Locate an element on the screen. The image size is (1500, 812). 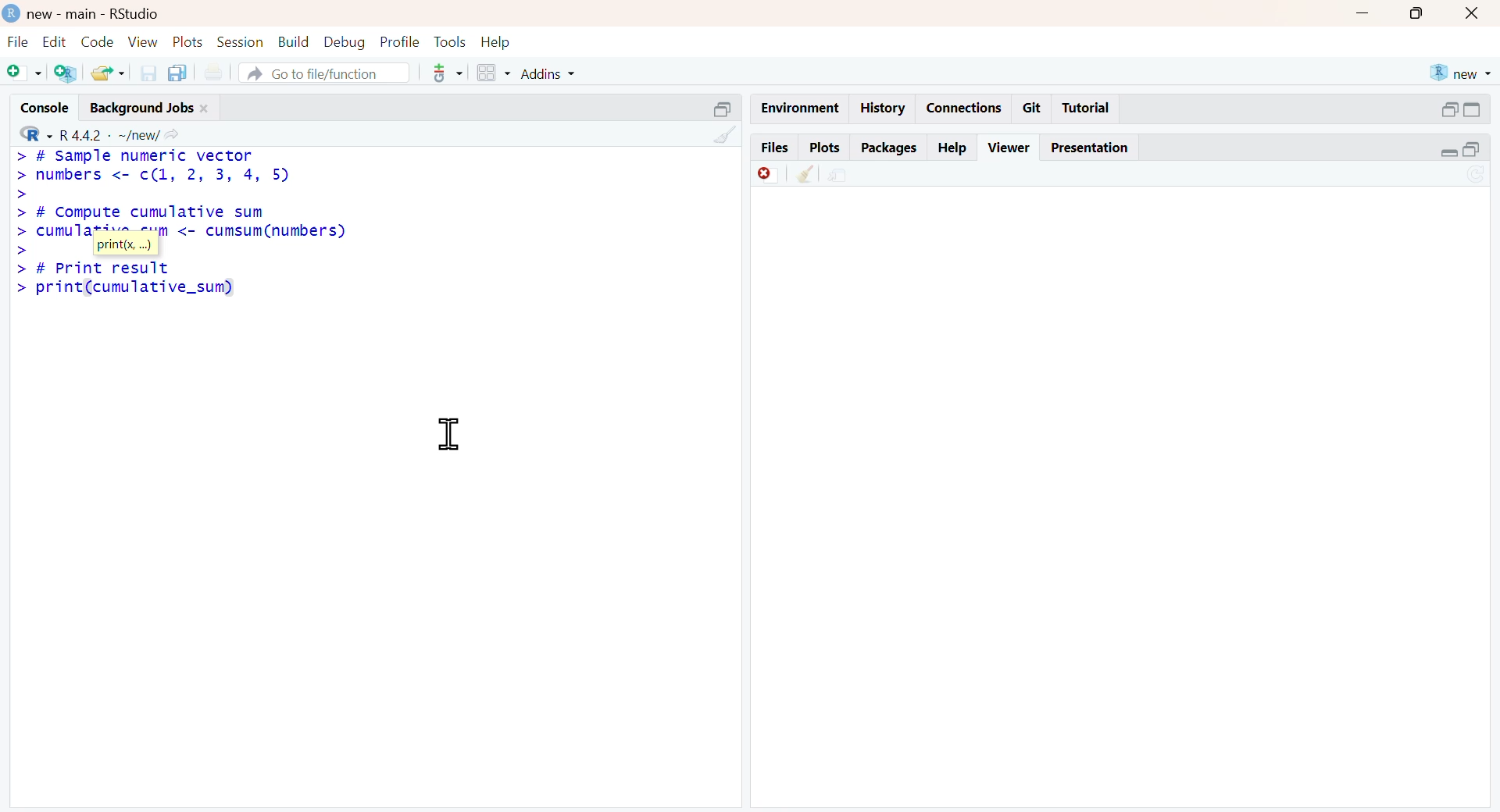
> # Sample numeric vector

> numbers <- c(1, 2, 3, 4, 5)
>

> # Compute cumulative sum is located at coordinates (154, 184).